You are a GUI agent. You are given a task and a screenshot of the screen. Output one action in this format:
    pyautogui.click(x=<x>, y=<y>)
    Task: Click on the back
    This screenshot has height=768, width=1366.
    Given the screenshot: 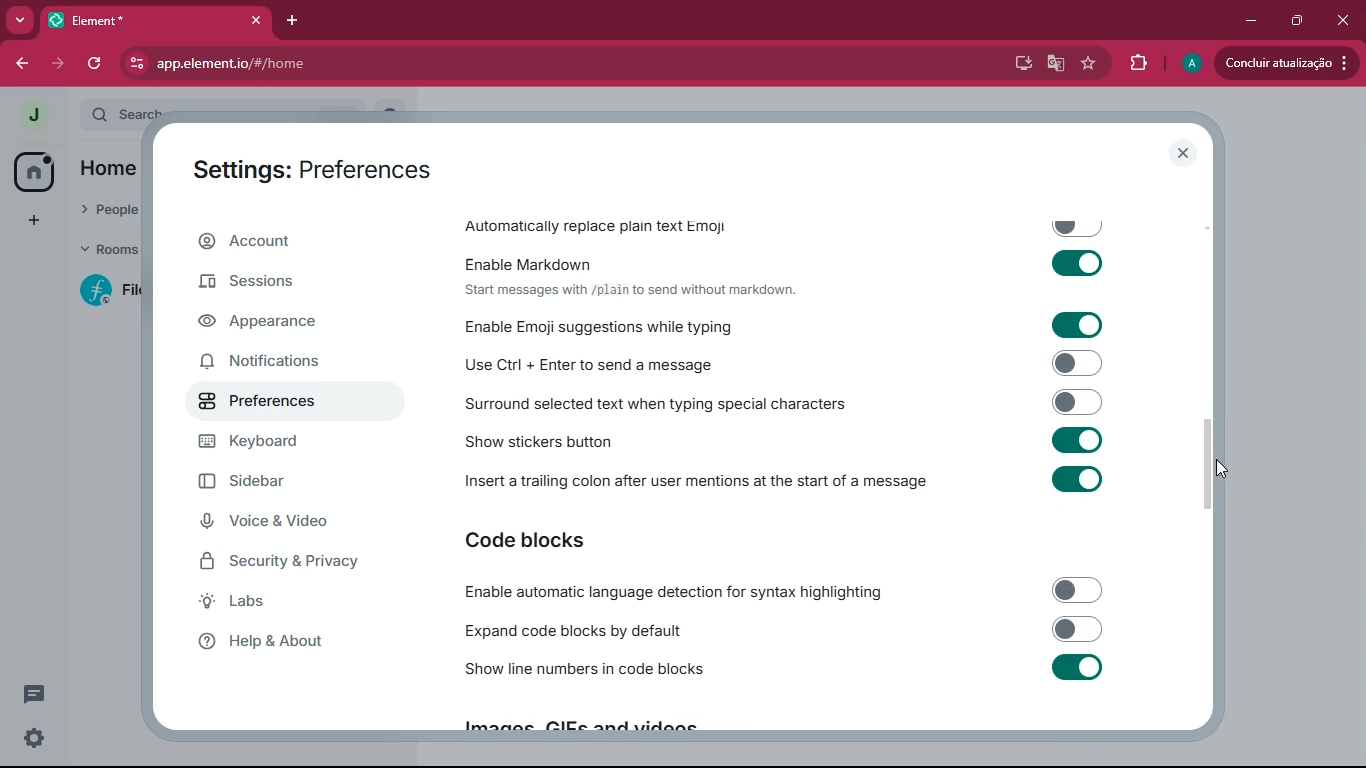 What is the action you would take?
    pyautogui.click(x=18, y=61)
    